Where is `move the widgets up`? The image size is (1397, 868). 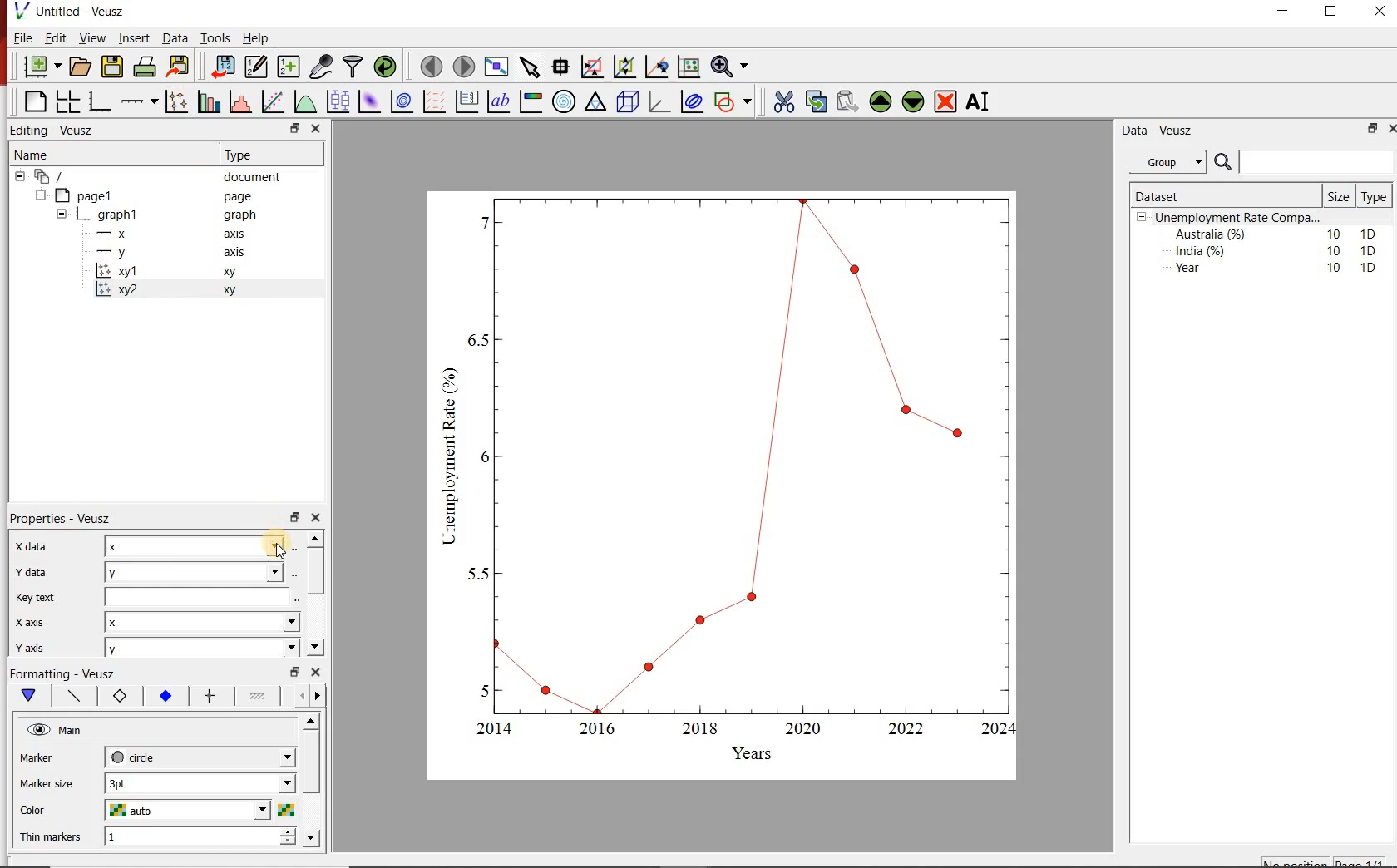 move the widgets up is located at coordinates (881, 101).